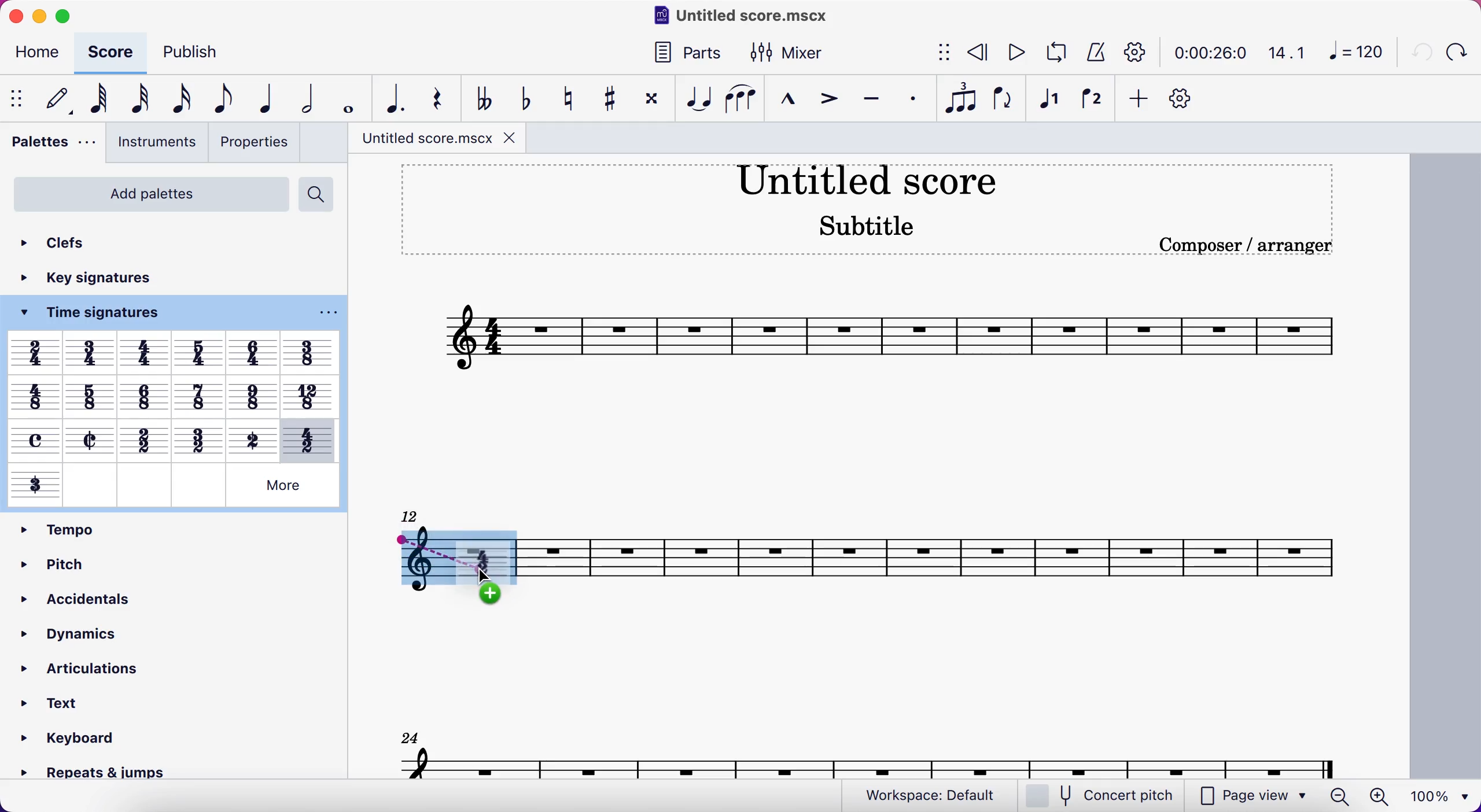 This screenshot has height=812, width=1481. Describe the element at coordinates (144, 439) in the screenshot. I see `` at that location.